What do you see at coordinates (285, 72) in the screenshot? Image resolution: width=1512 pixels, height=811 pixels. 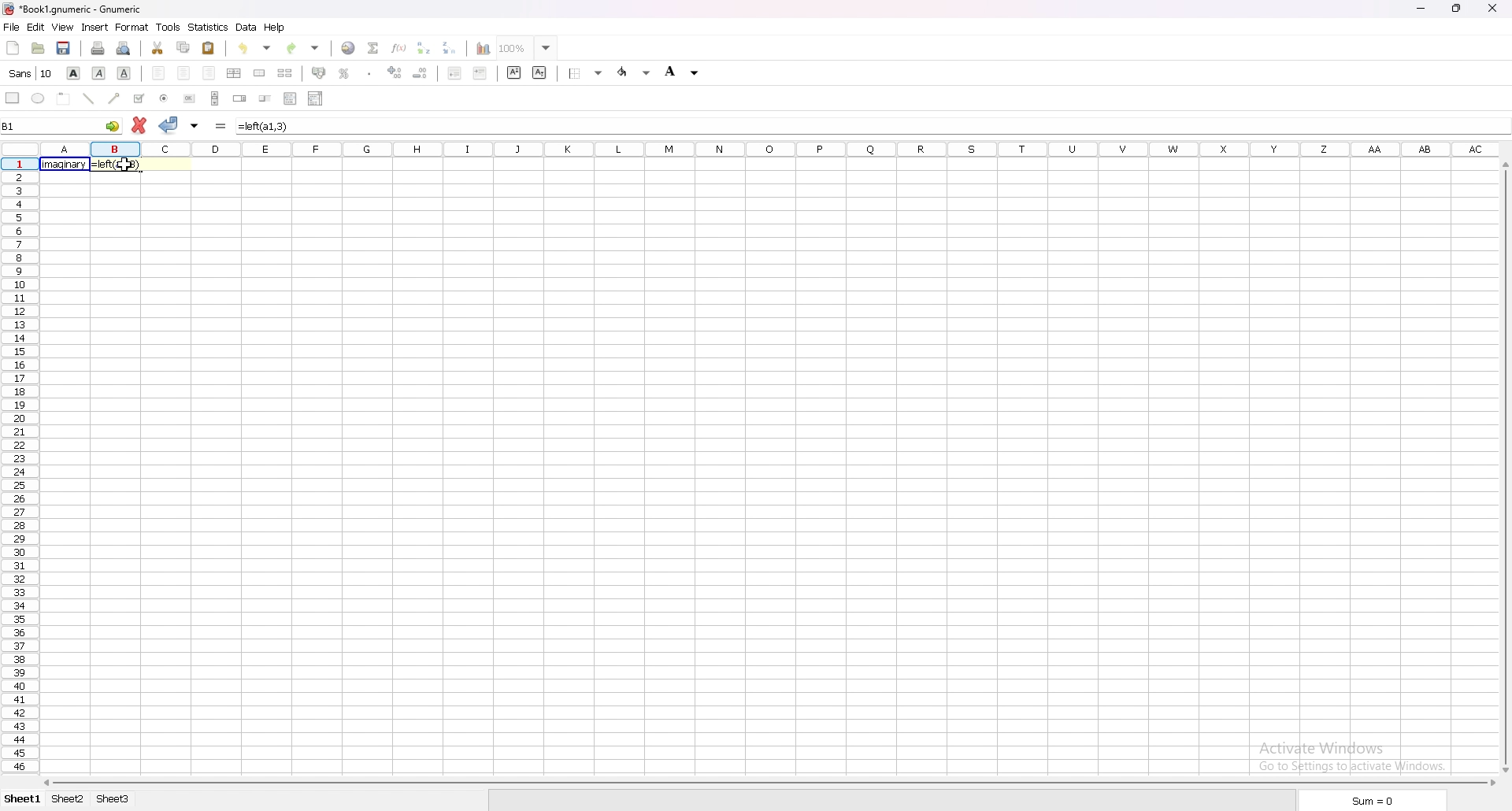 I see `split merged cells` at bounding box center [285, 72].